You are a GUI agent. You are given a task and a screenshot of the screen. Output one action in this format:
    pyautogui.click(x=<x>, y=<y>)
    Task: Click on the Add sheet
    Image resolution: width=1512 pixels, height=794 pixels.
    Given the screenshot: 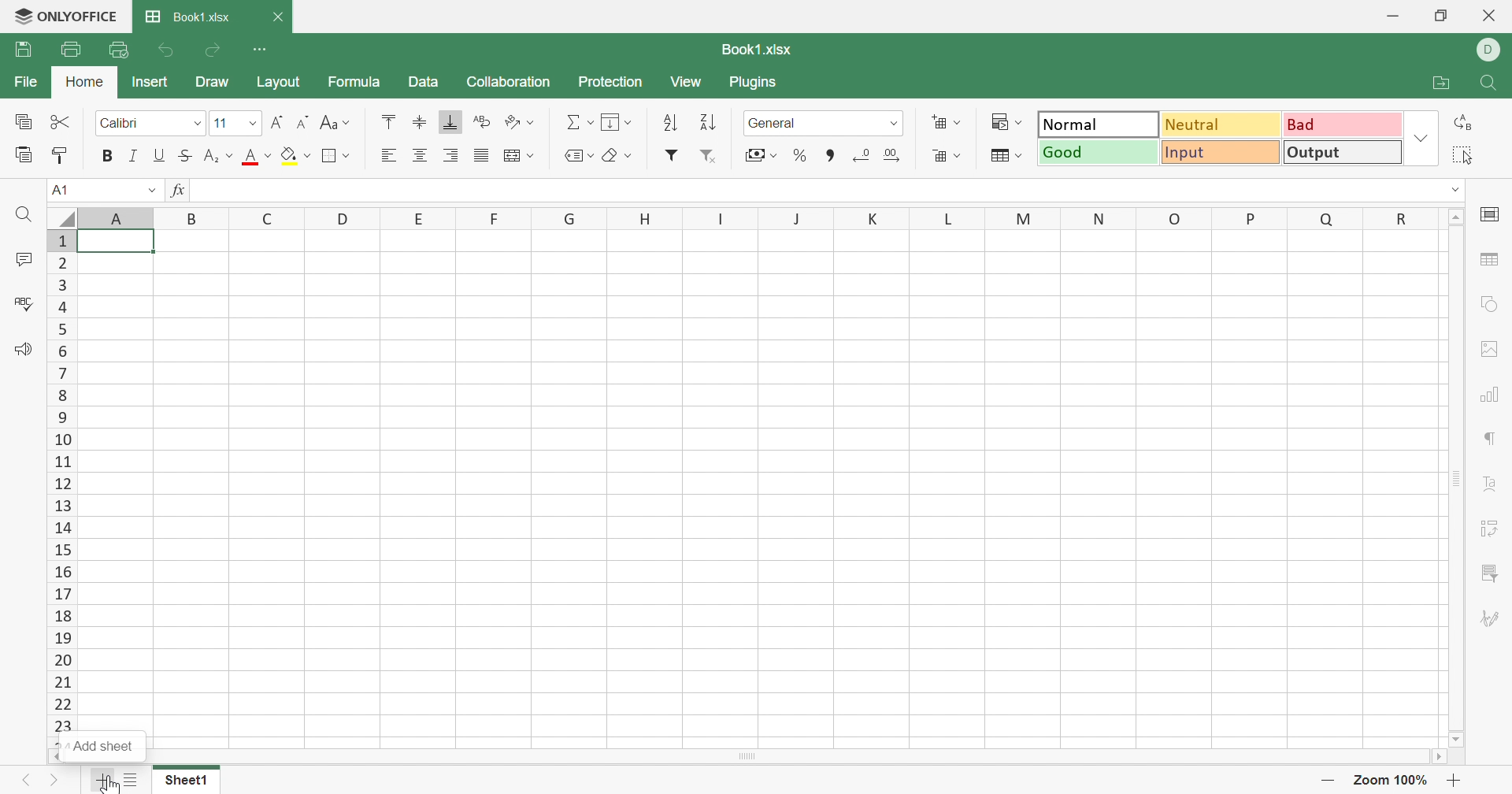 What is the action you would take?
    pyautogui.click(x=102, y=778)
    